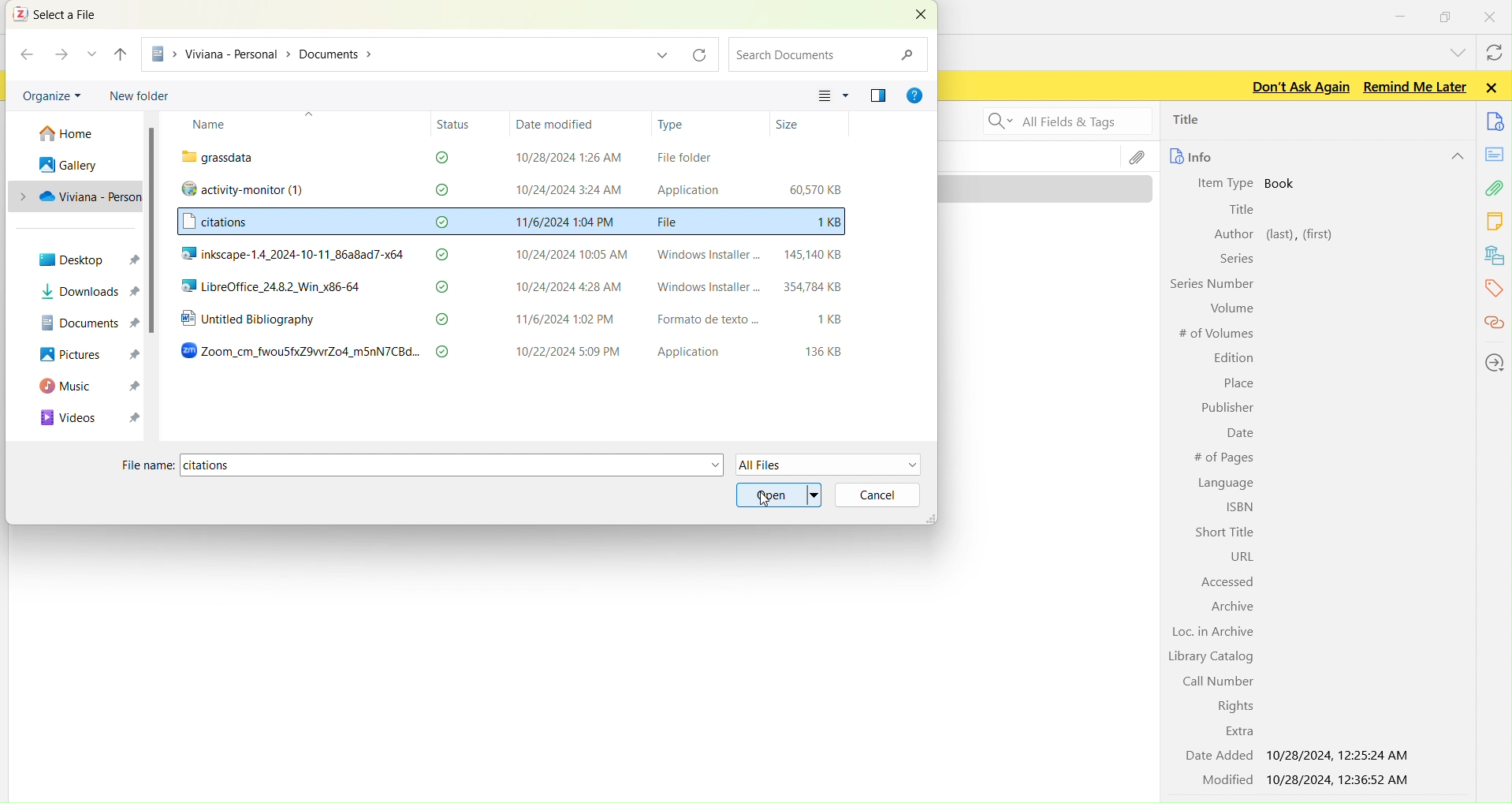 Image resolution: width=1512 pixels, height=803 pixels. What do you see at coordinates (1234, 731) in the screenshot?
I see `Extra` at bounding box center [1234, 731].